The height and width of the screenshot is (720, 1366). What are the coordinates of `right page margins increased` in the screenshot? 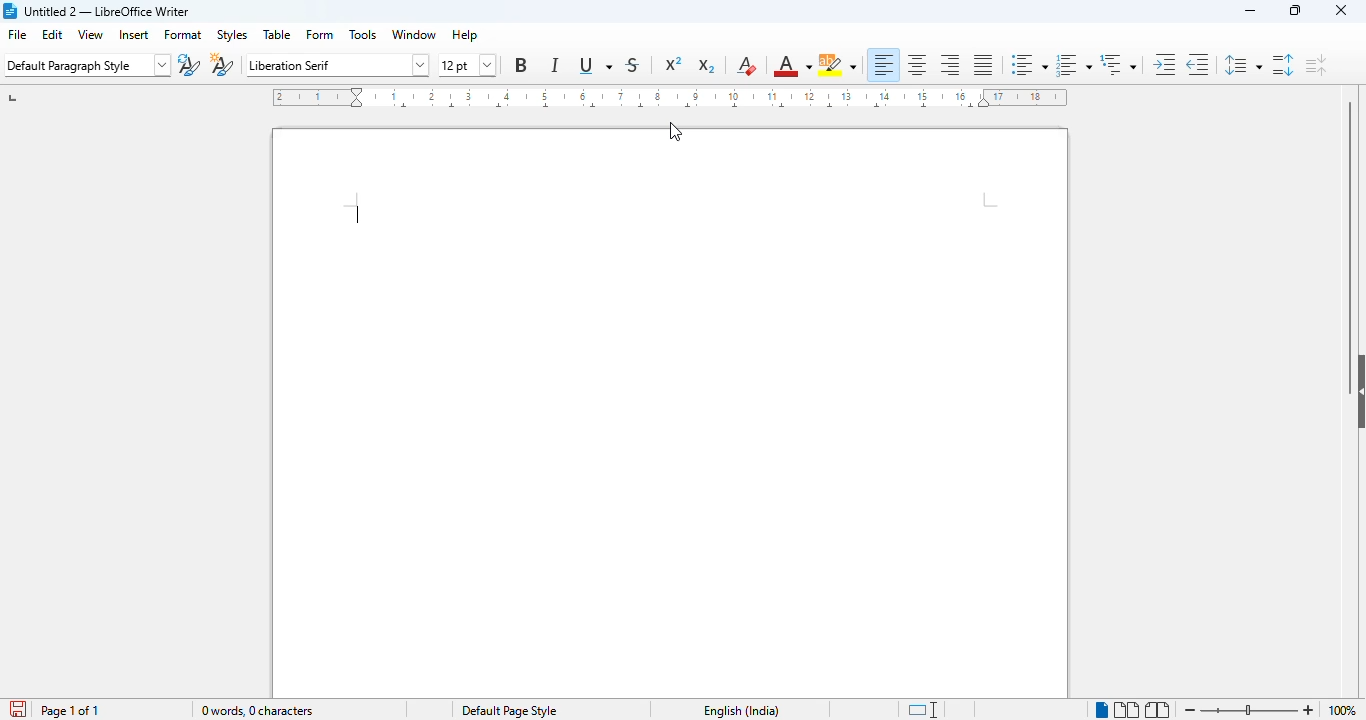 It's located at (1021, 97).